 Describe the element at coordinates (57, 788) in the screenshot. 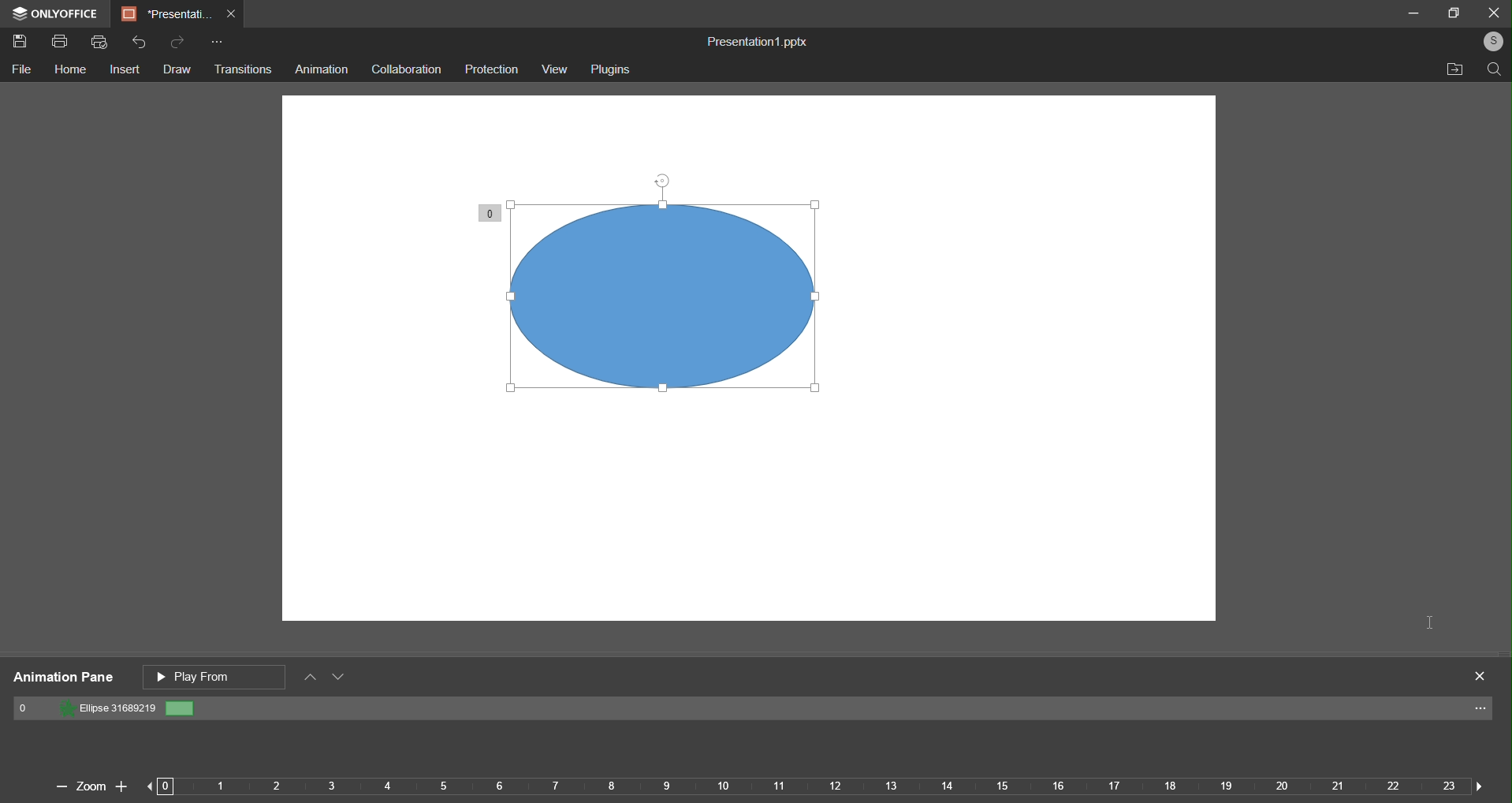

I see `zoom out` at that location.